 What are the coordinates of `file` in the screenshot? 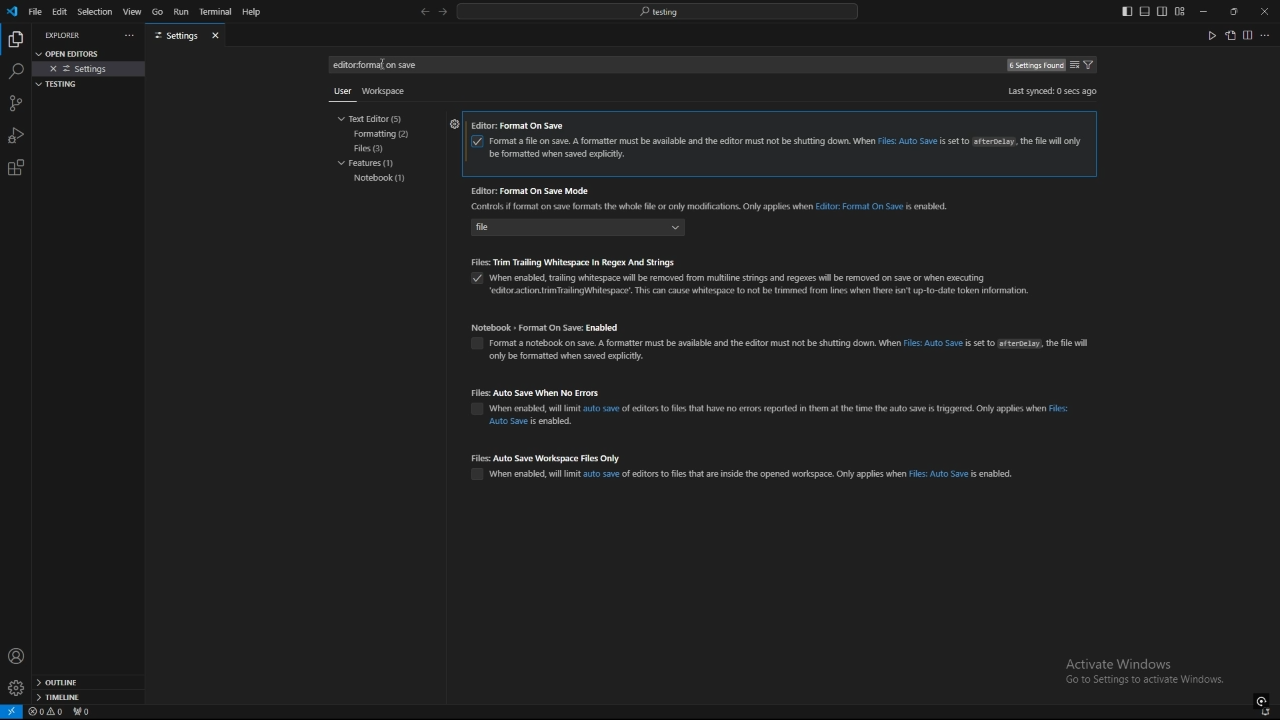 It's located at (594, 230).